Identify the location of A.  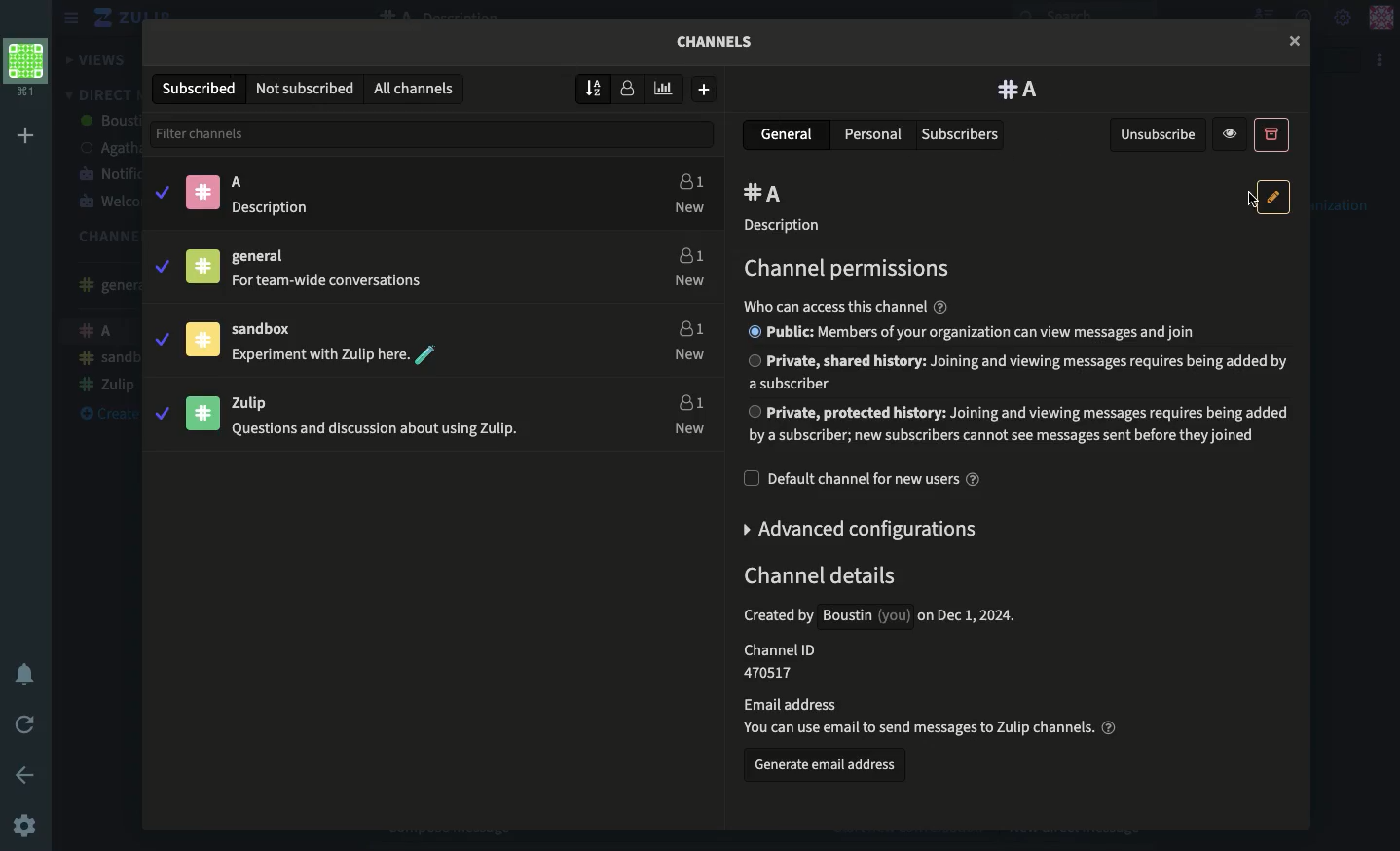
(1019, 90).